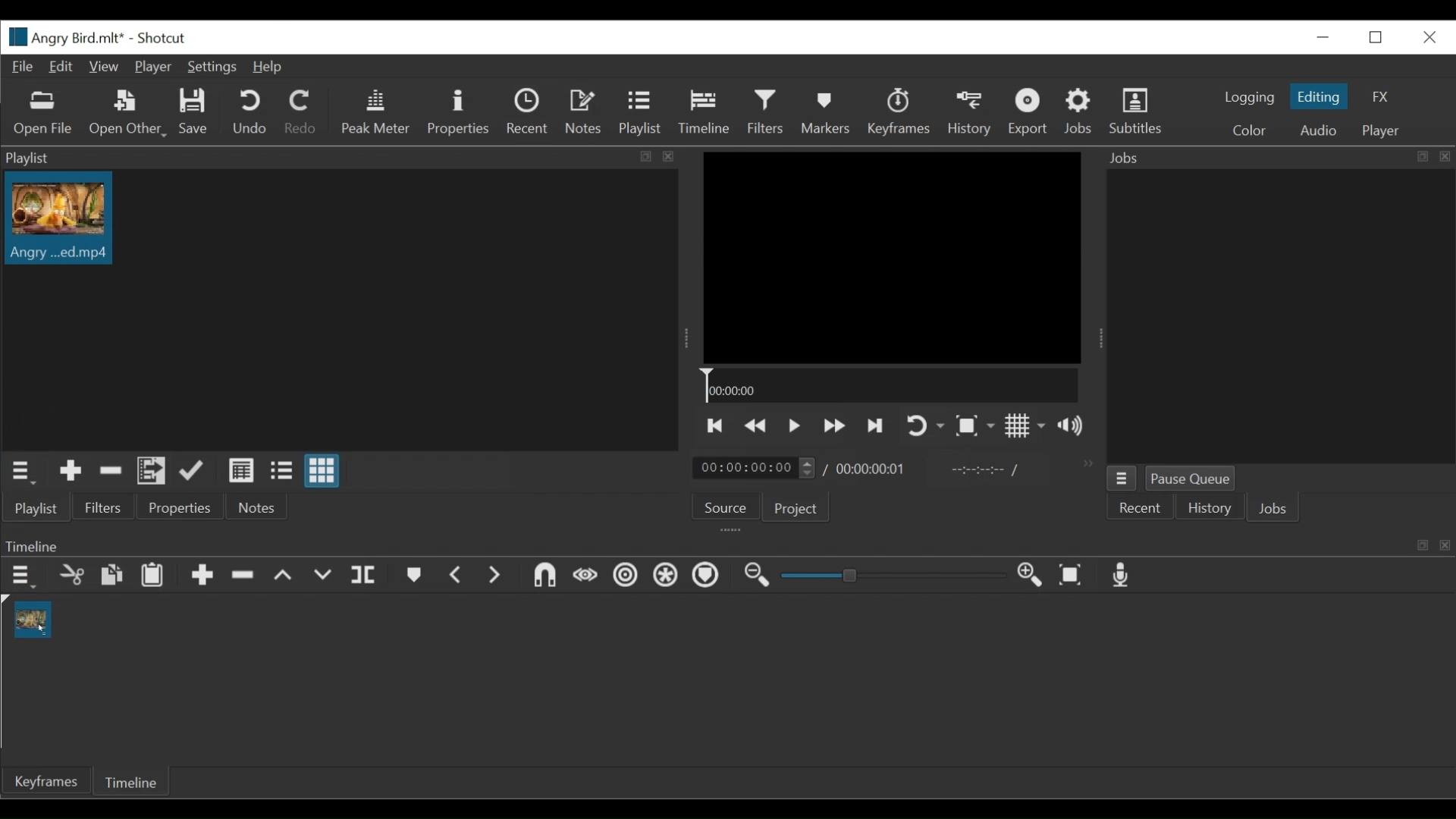 The image size is (1456, 819). I want to click on Previous marker, so click(457, 576).